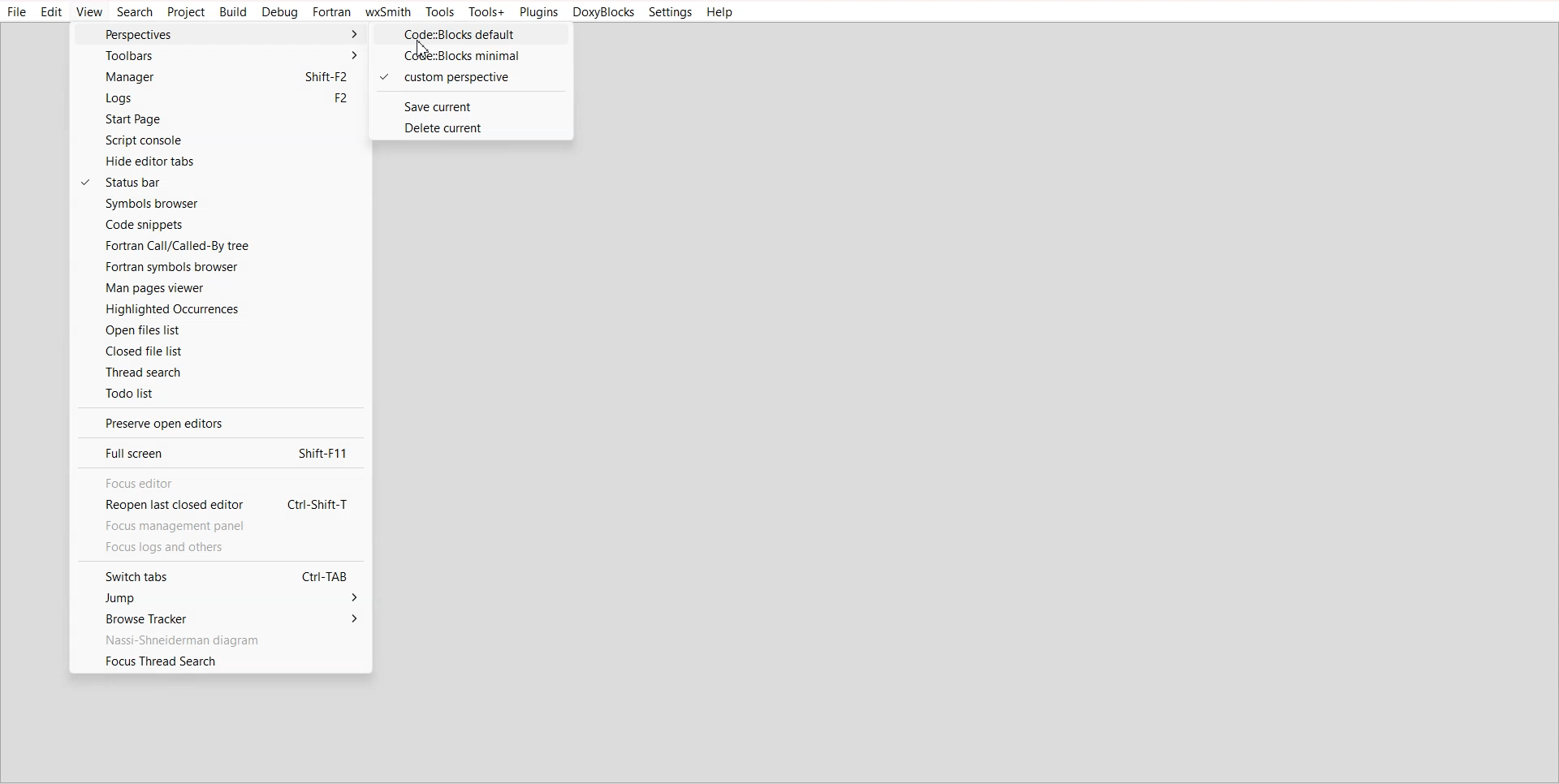 The height and width of the screenshot is (784, 1559). I want to click on Build, so click(234, 12).